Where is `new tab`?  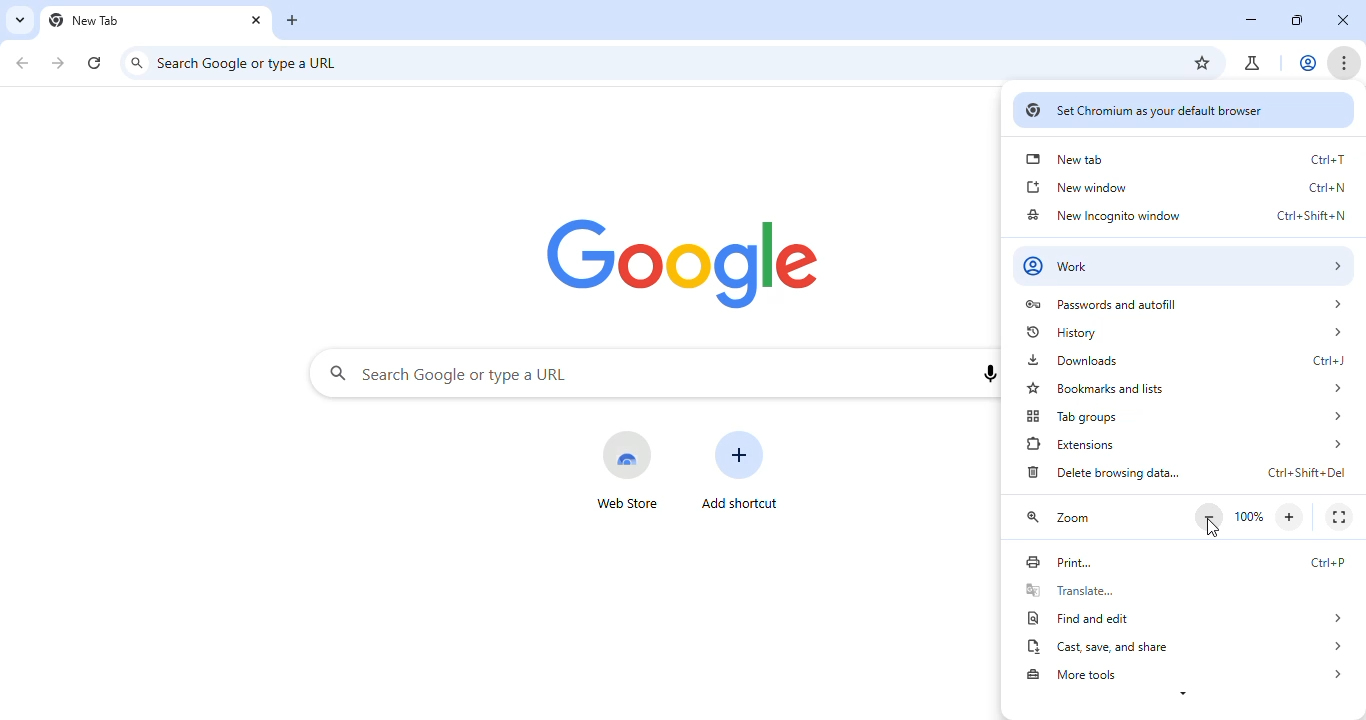
new tab is located at coordinates (88, 21).